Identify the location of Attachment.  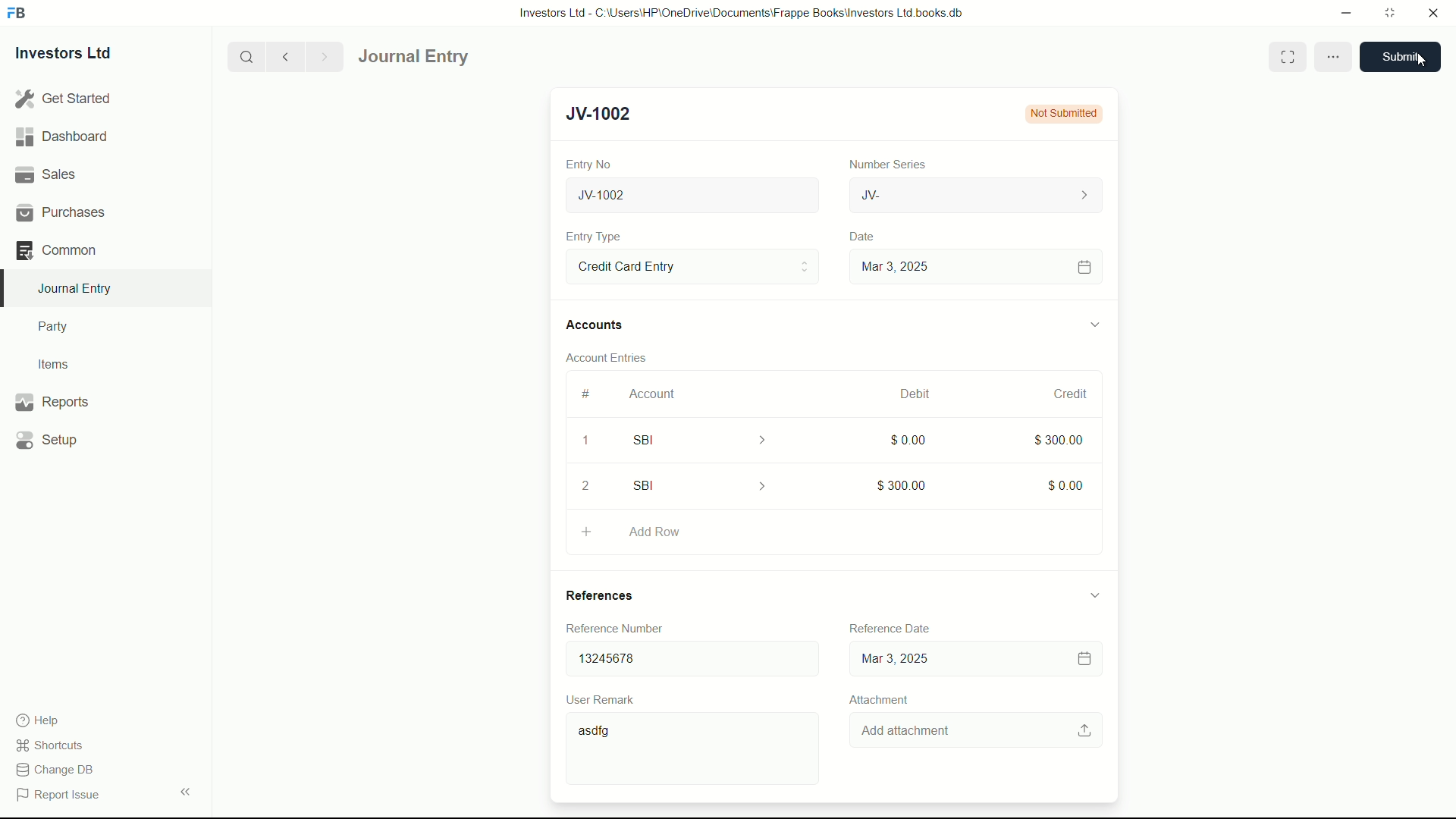
(878, 699).